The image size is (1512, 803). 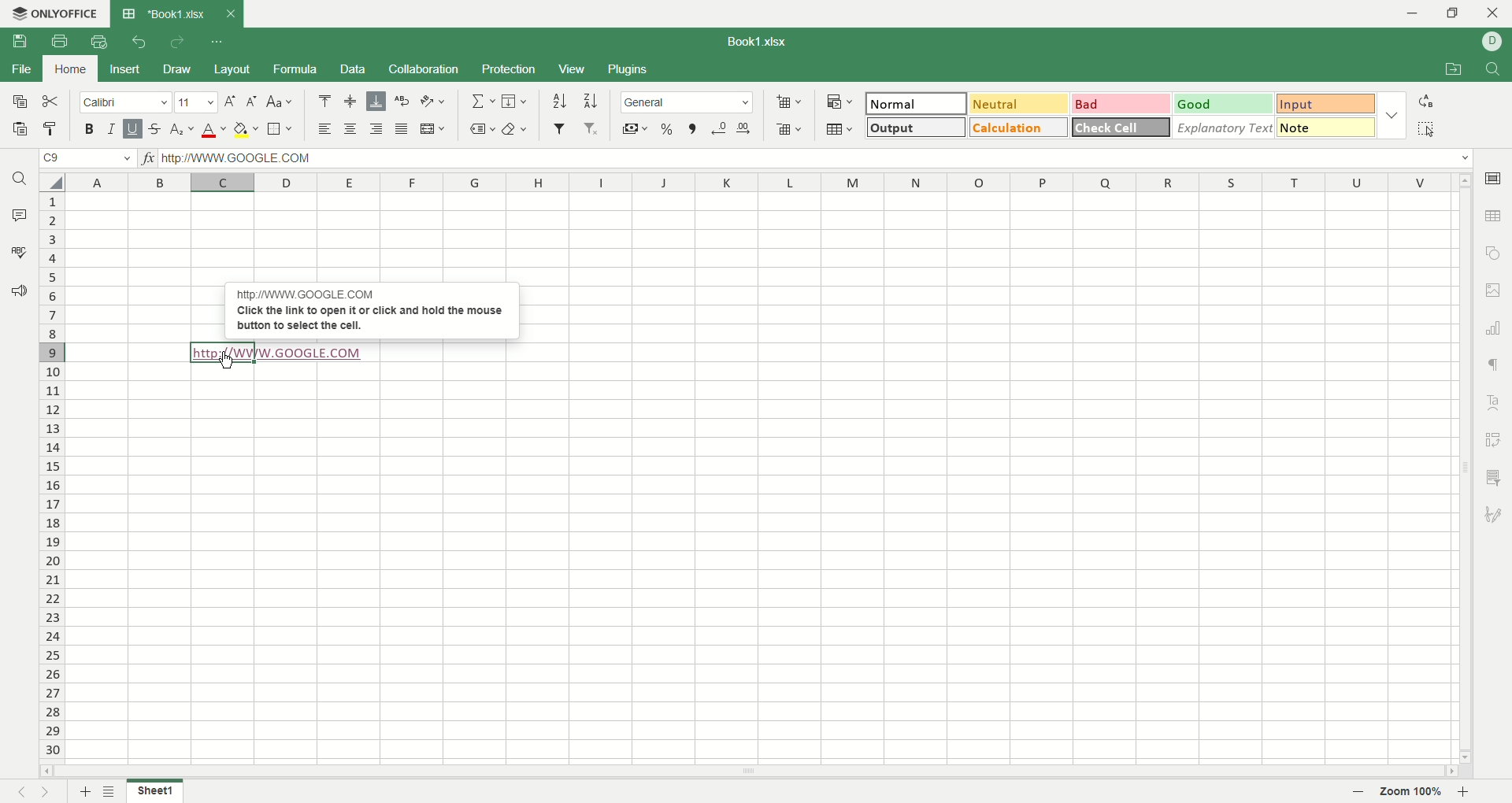 What do you see at coordinates (114, 793) in the screenshot?
I see `sheet list` at bounding box center [114, 793].